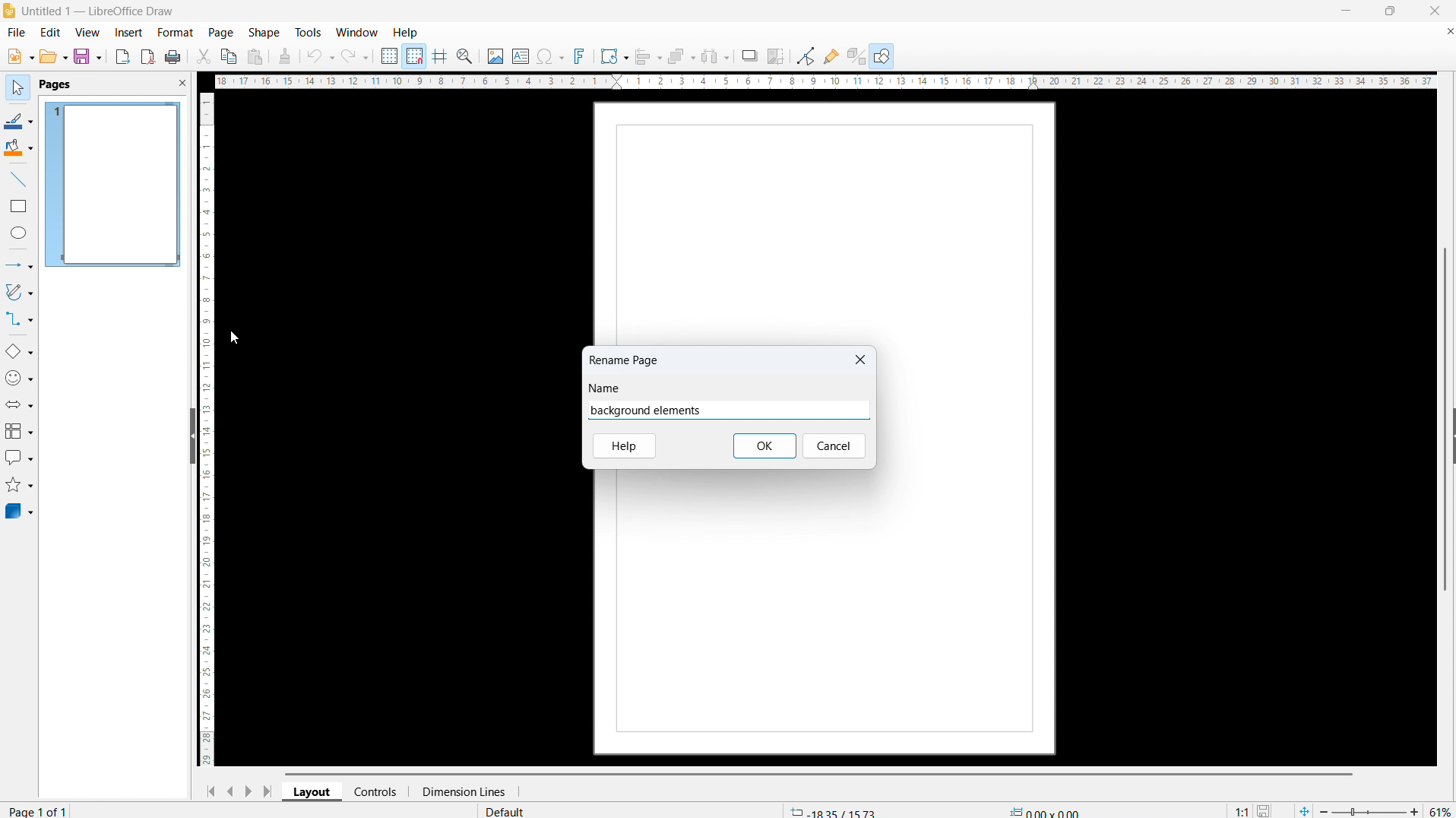 This screenshot has height=818, width=1456. What do you see at coordinates (749, 55) in the screenshot?
I see `shadow` at bounding box center [749, 55].